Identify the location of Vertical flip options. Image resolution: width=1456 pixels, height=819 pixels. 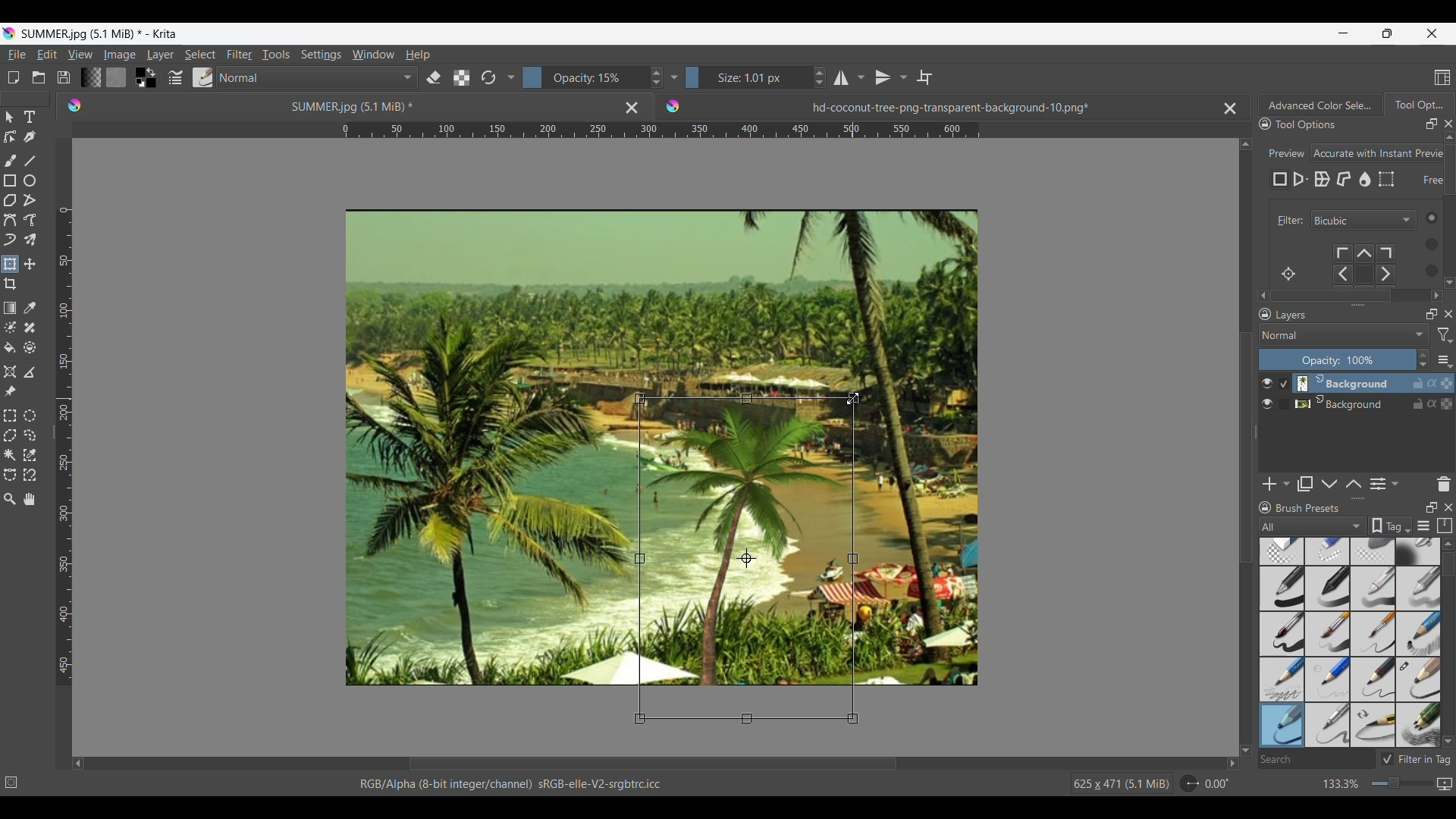
(883, 77).